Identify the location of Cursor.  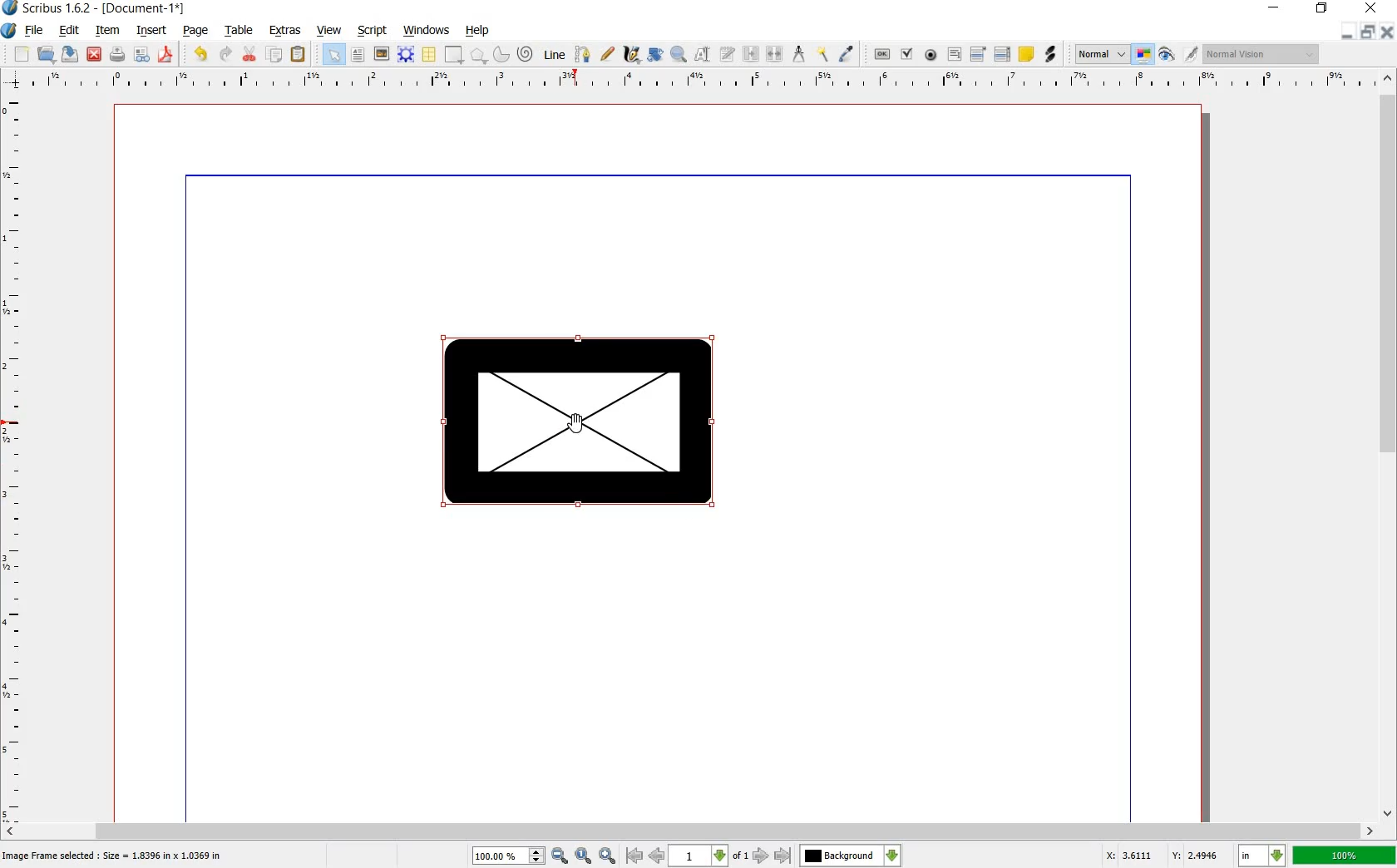
(580, 426).